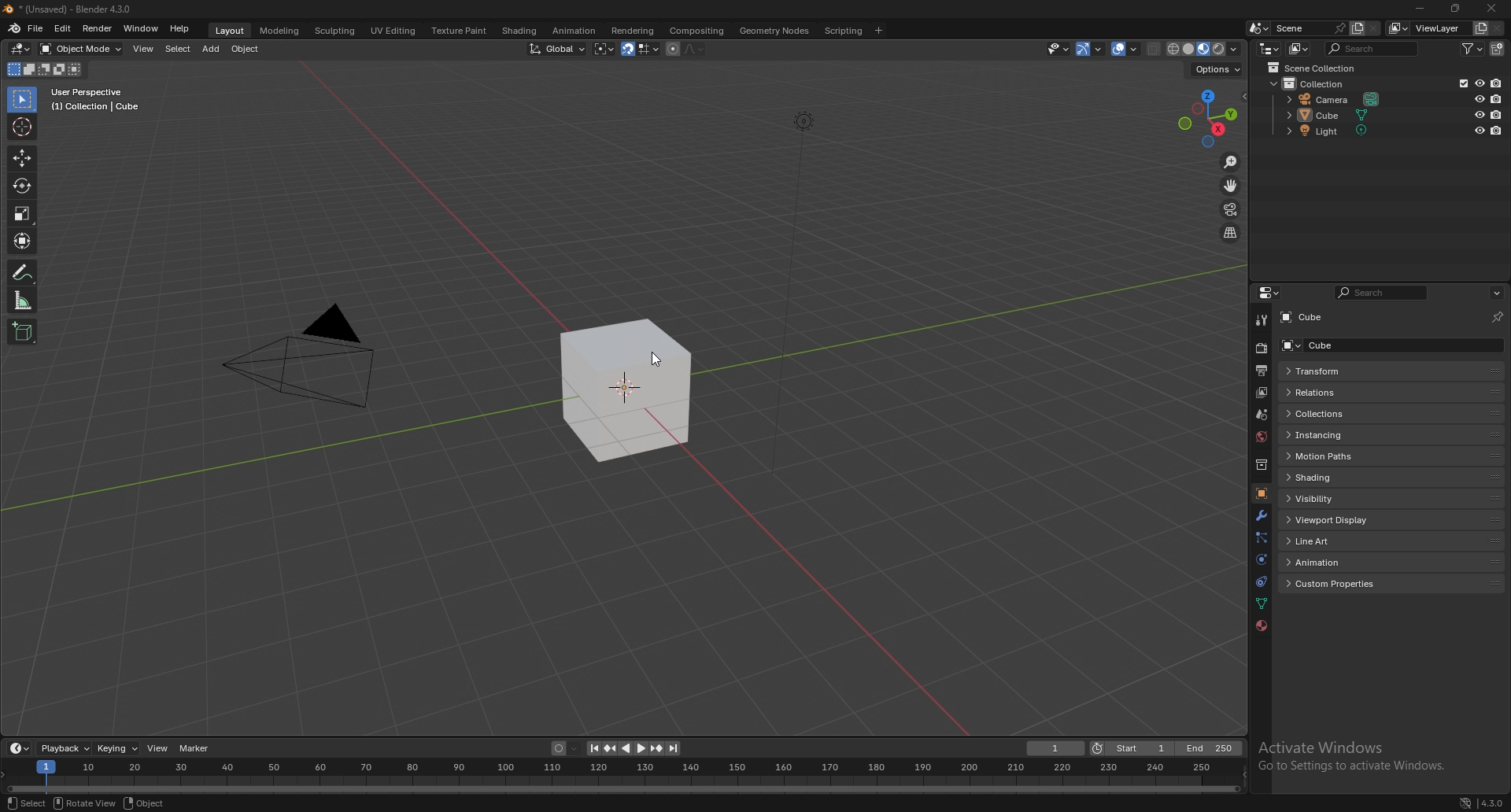 The image size is (1511, 812). What do you see at coordinates (1391, 456) in the screenshot?
I see `motion paths` at bounding box center [1391, 456].